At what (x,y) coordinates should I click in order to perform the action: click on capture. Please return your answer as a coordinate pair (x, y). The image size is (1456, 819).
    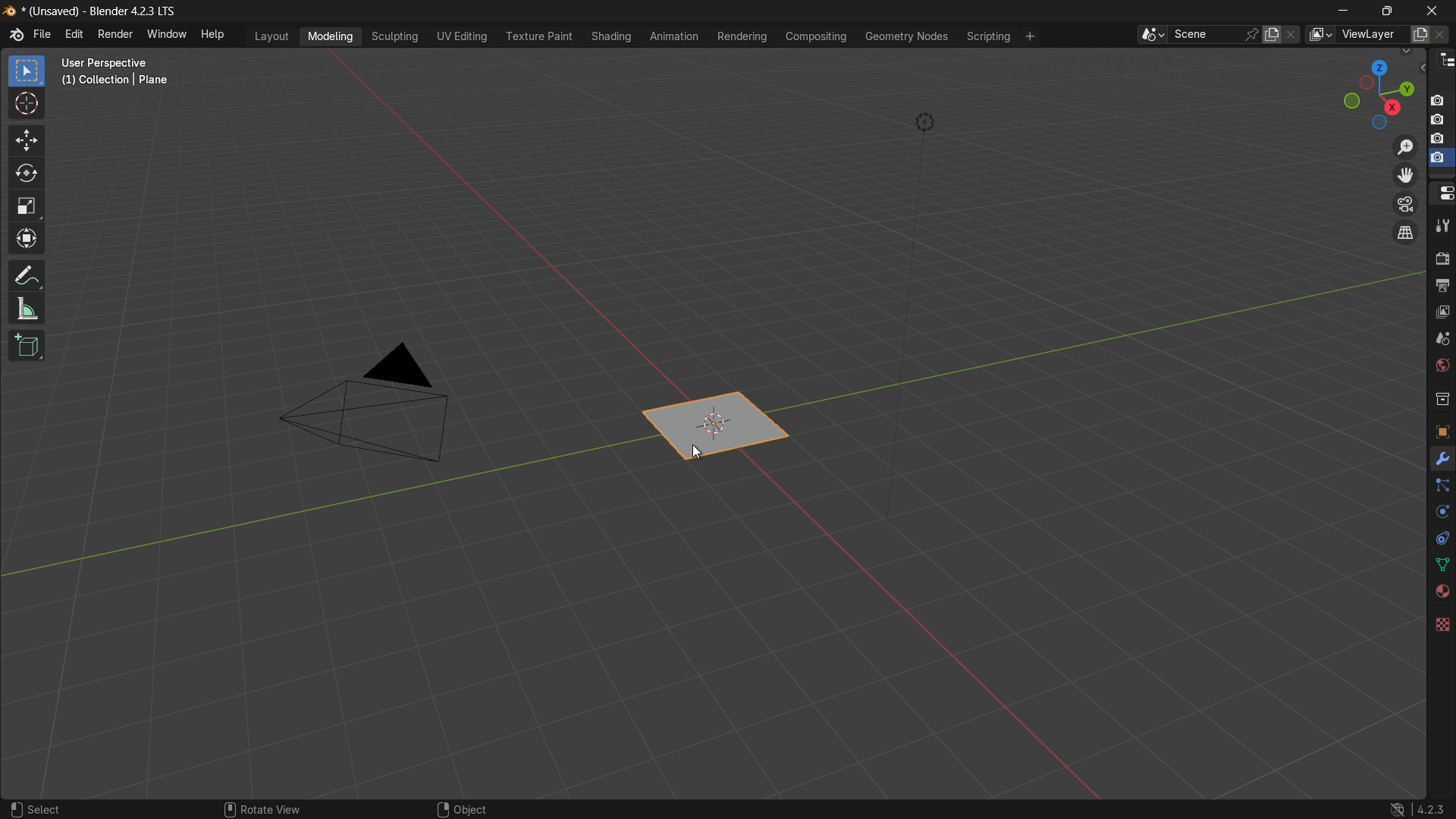
    Looking at the image, I should click on (1438, 118).